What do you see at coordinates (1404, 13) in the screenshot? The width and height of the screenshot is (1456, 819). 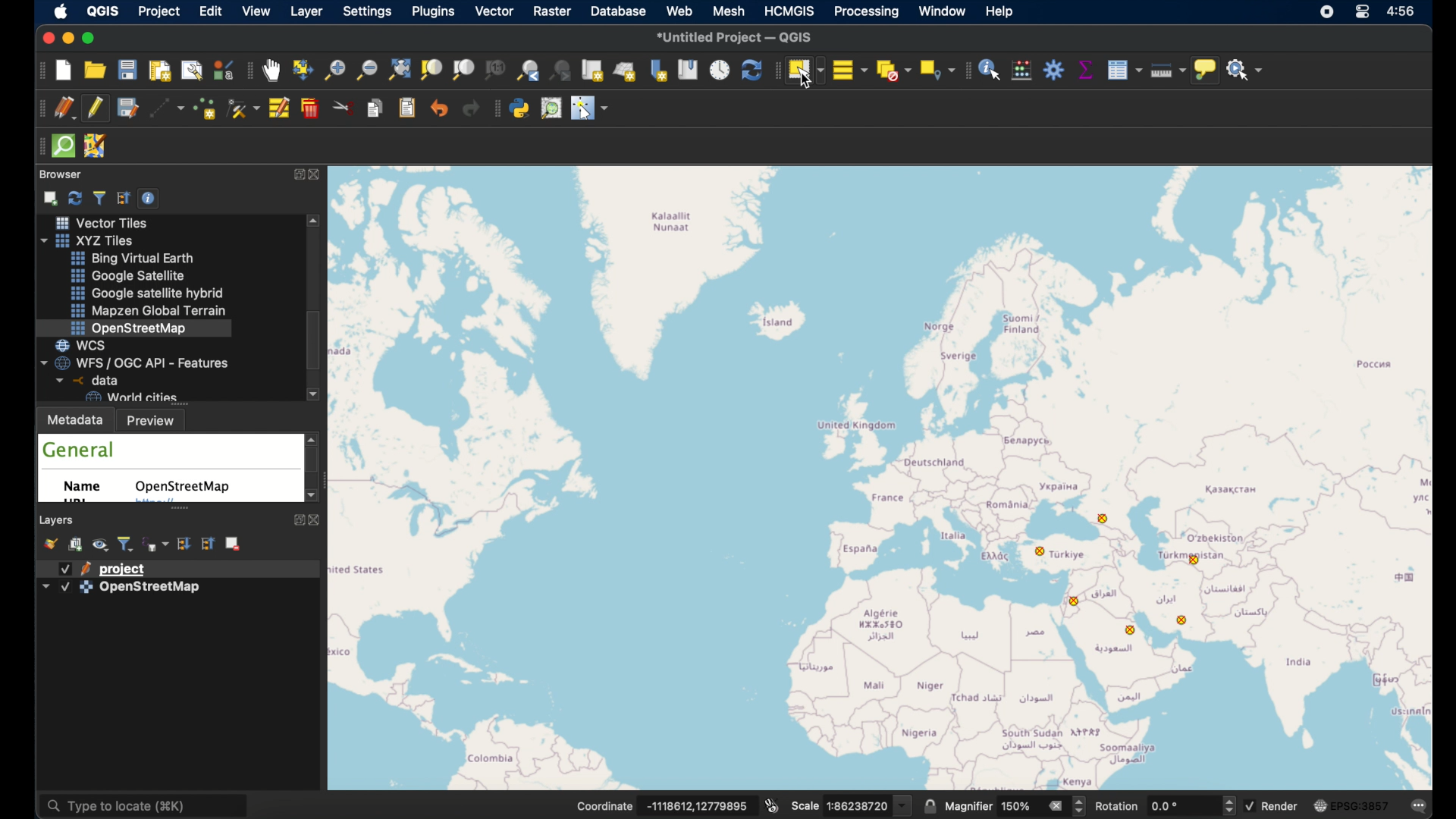 I see `time` at bounding box center [1404, 13].